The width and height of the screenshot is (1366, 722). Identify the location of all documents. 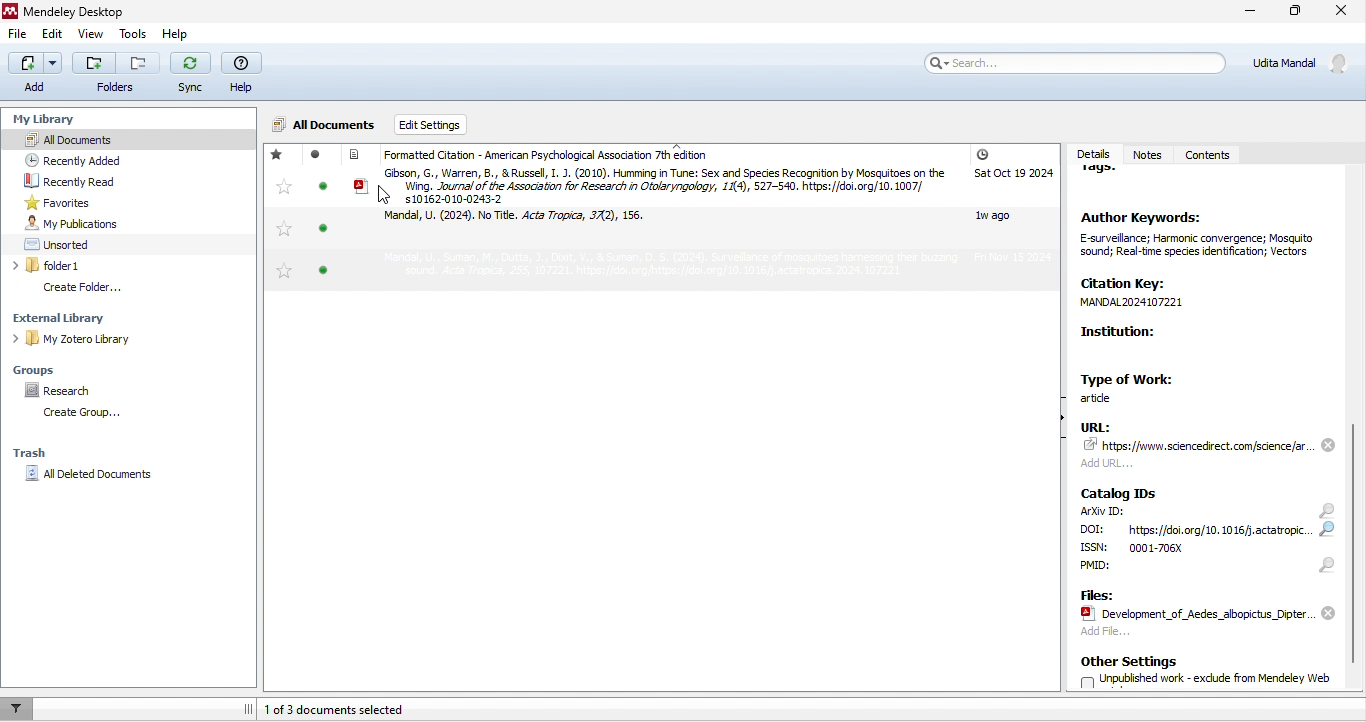
(82, 138).